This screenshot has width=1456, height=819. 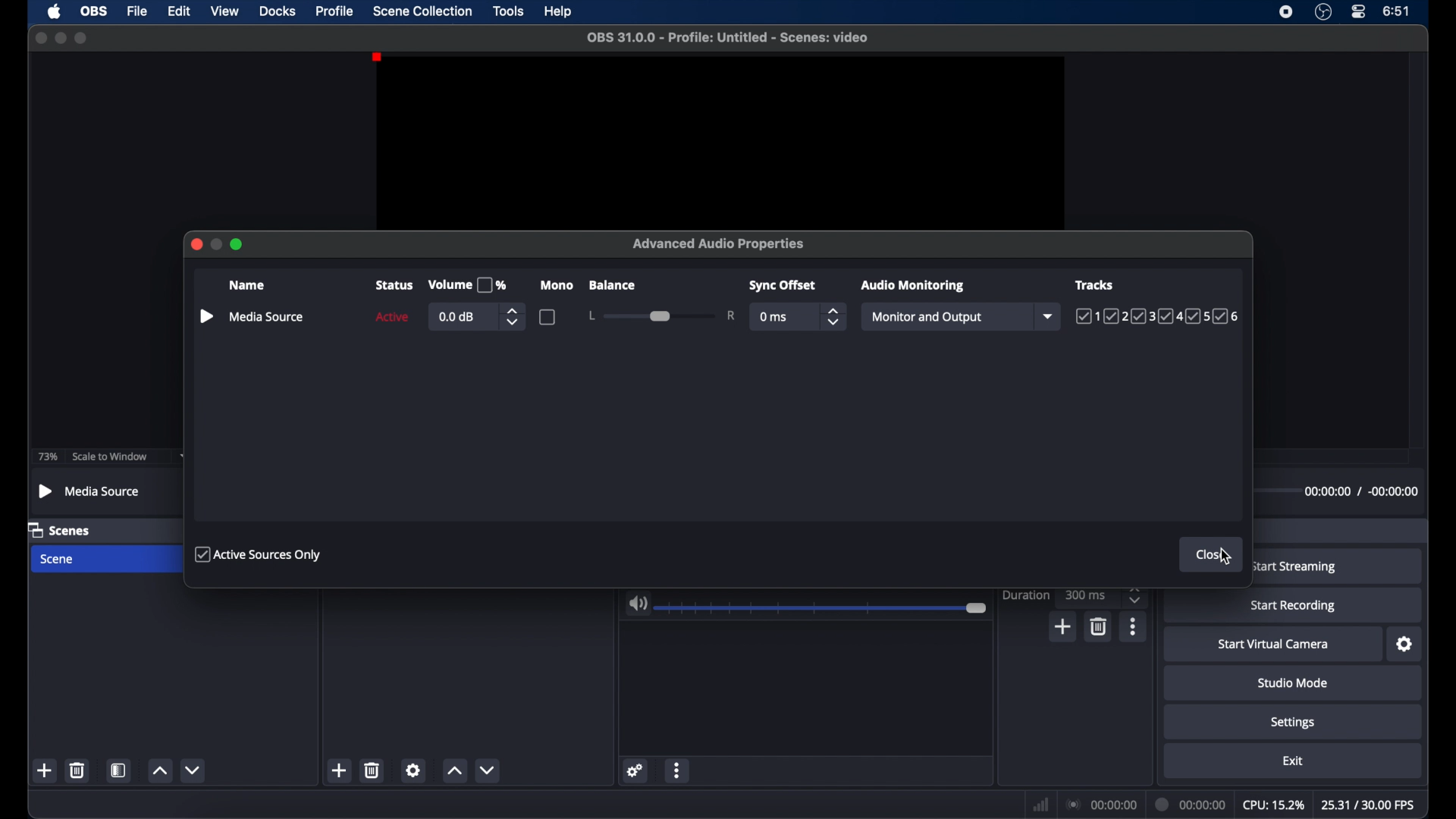 I want to click on scene filters, so click(x=120, y=770).